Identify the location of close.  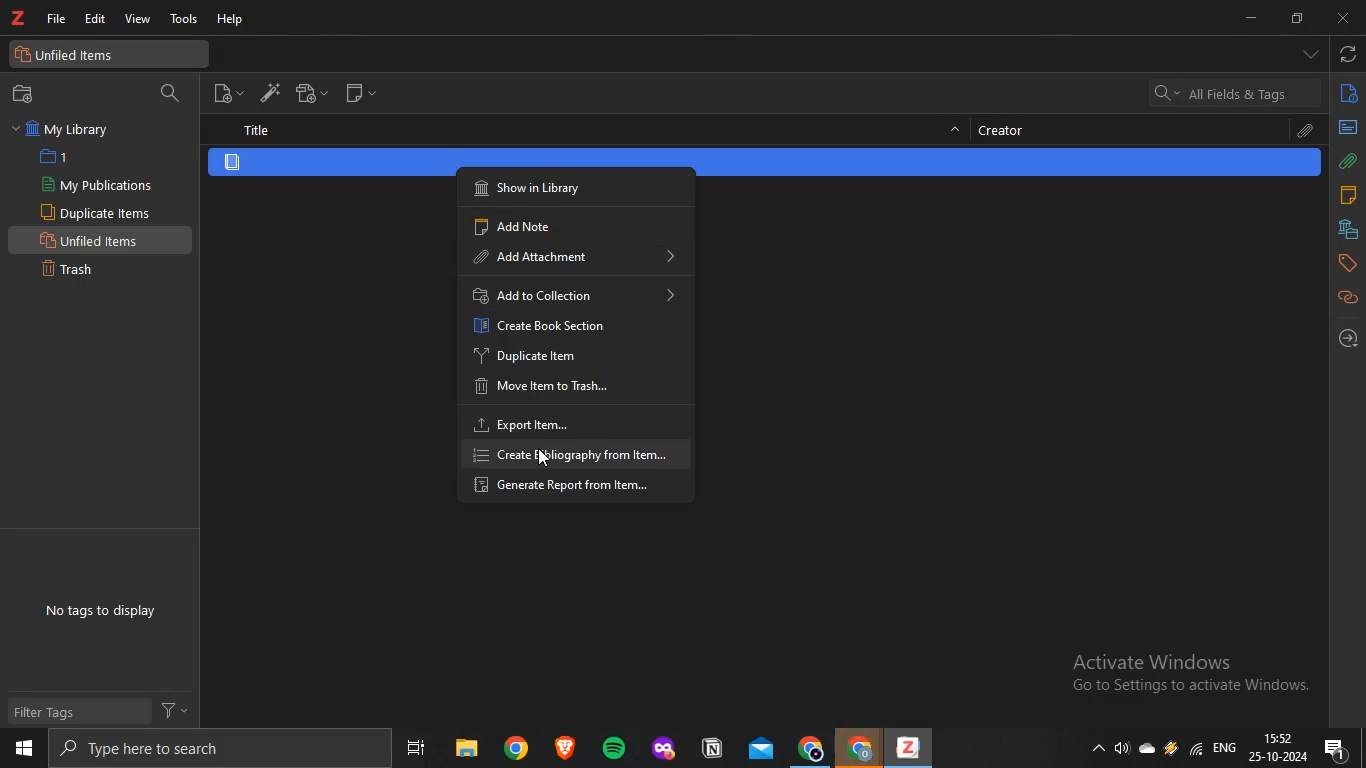
(1341, 19).